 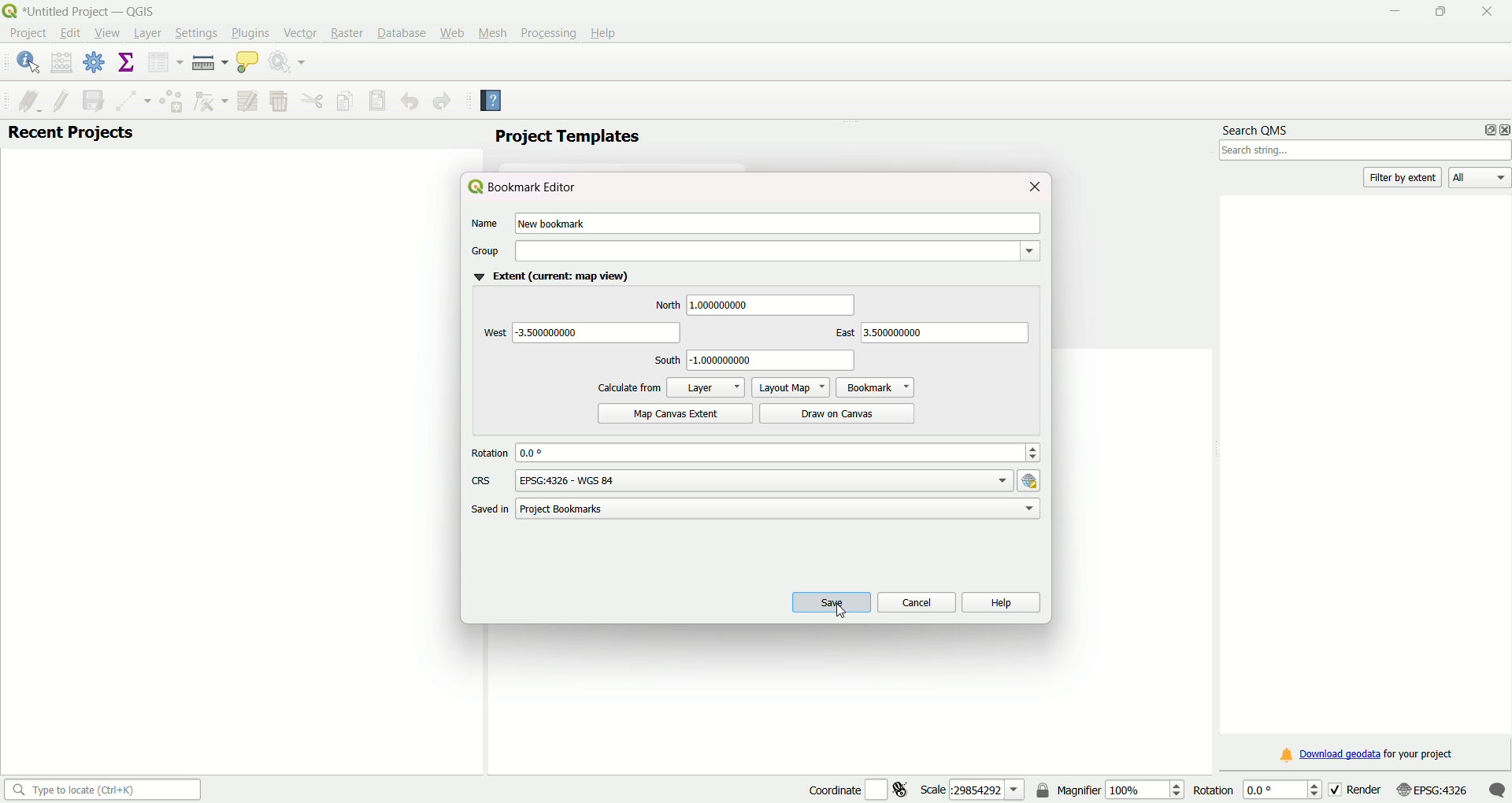 I want to click on open attribute table, so click(x=163, y=63).